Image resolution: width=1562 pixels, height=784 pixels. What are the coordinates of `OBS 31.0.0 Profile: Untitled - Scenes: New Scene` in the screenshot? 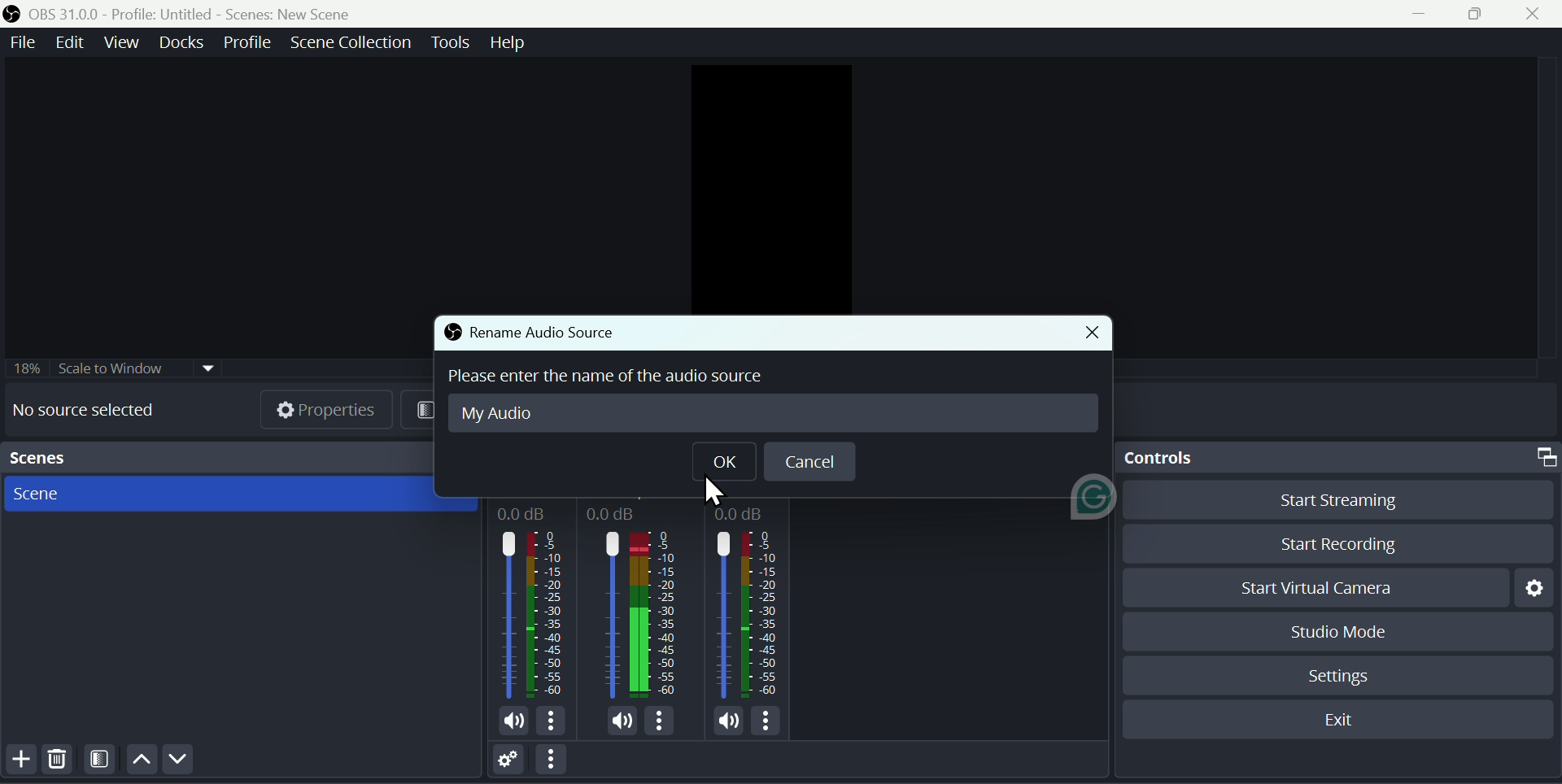 It's located at (200, 11).